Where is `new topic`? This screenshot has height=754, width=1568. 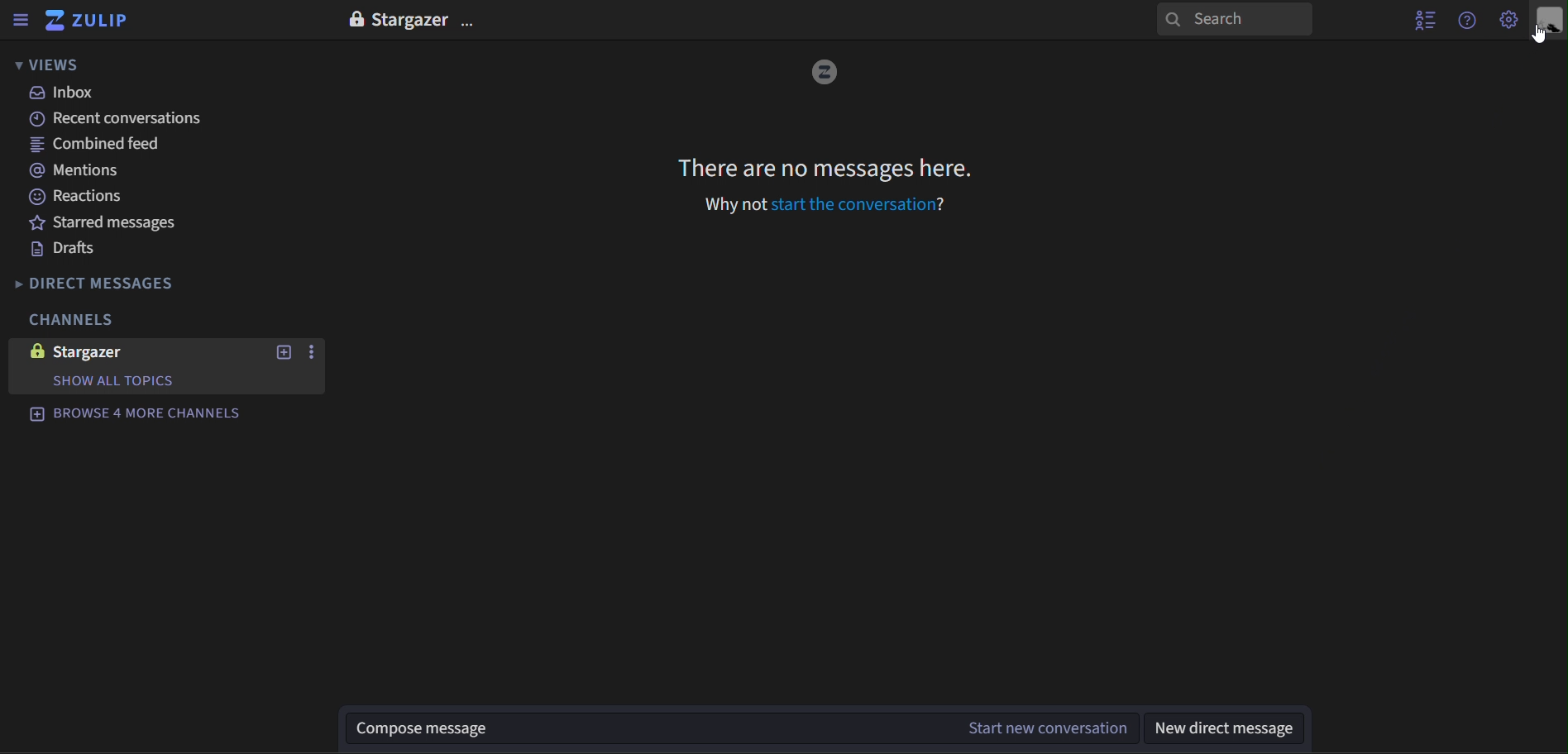 new topic is located at coordinates (285, 353).